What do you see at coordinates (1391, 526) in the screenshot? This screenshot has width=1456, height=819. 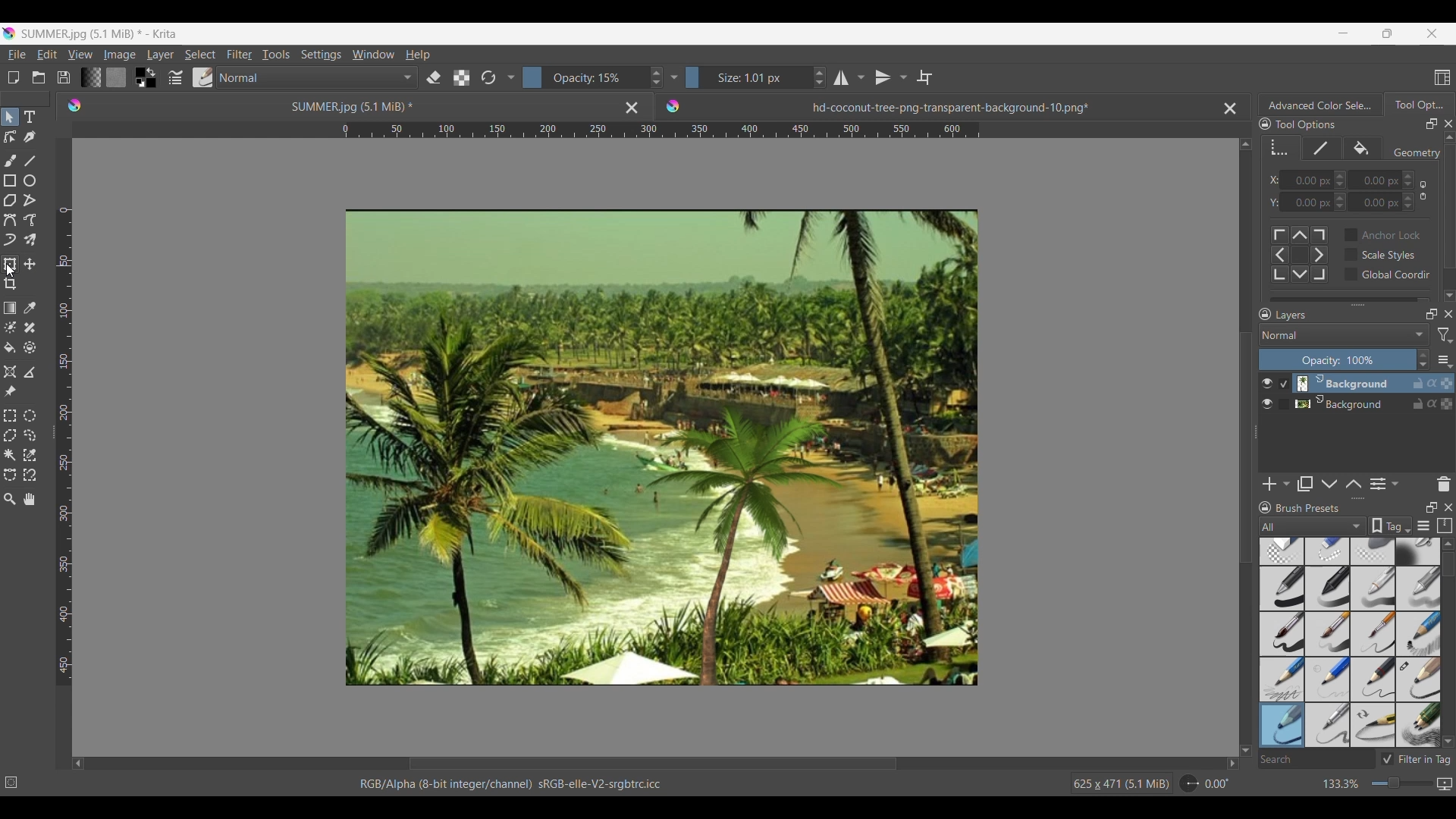 I see `Show the tag box options` at bounding box center [1391, 526].